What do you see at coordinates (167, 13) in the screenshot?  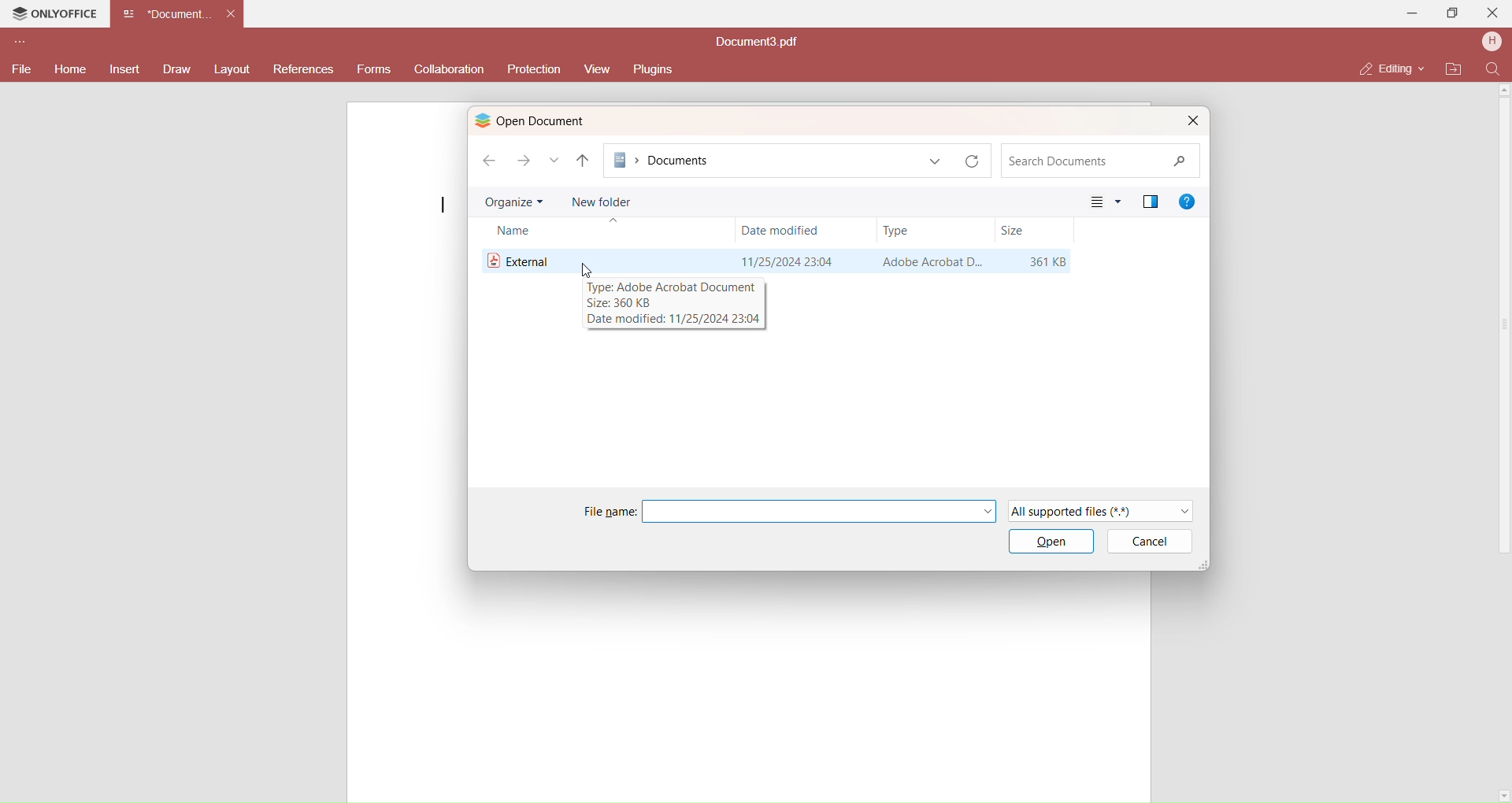 I see `Current Open Document Tab` at bounding box center [167, 13].